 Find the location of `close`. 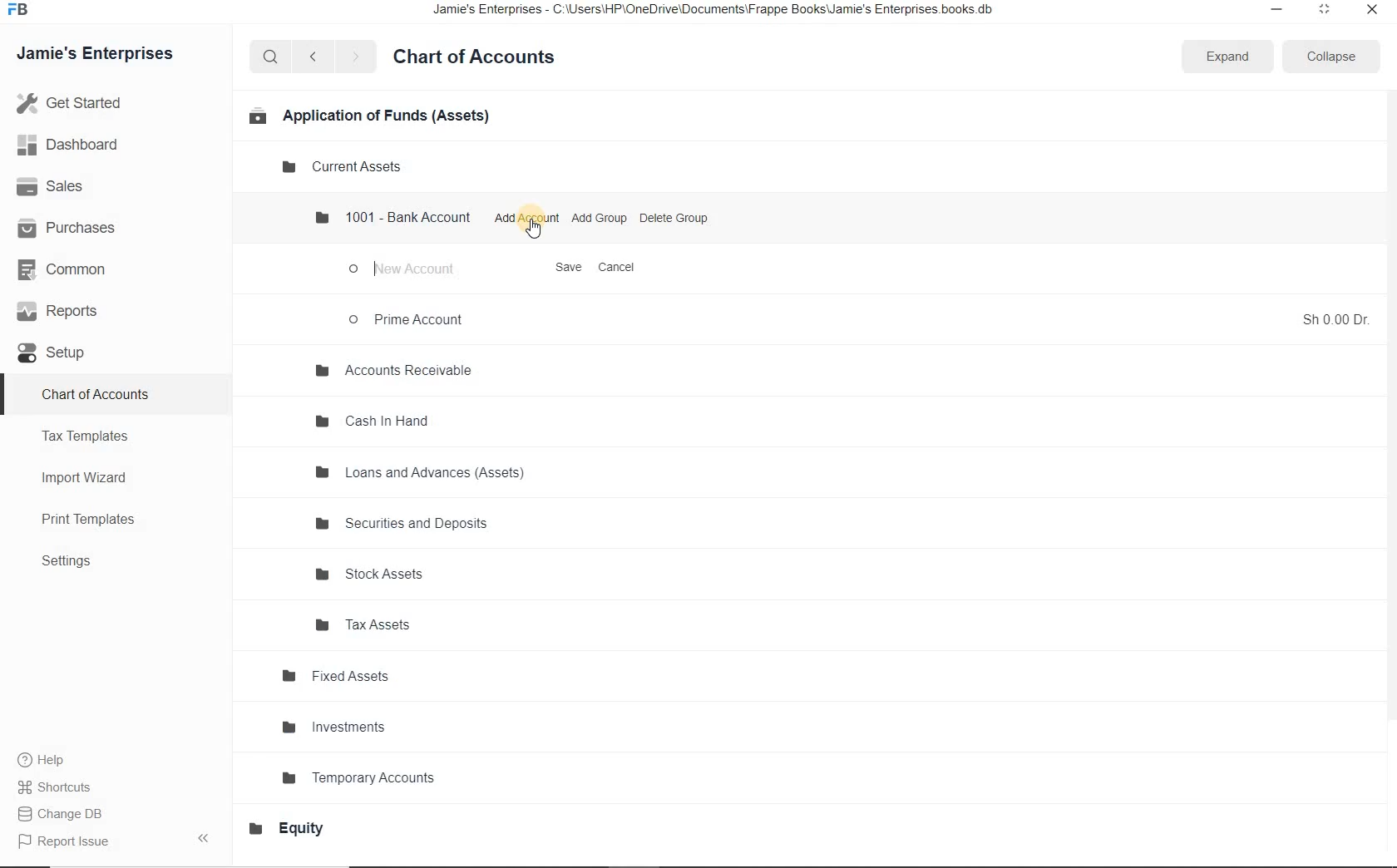

close is located at coordinates (1373, 11).